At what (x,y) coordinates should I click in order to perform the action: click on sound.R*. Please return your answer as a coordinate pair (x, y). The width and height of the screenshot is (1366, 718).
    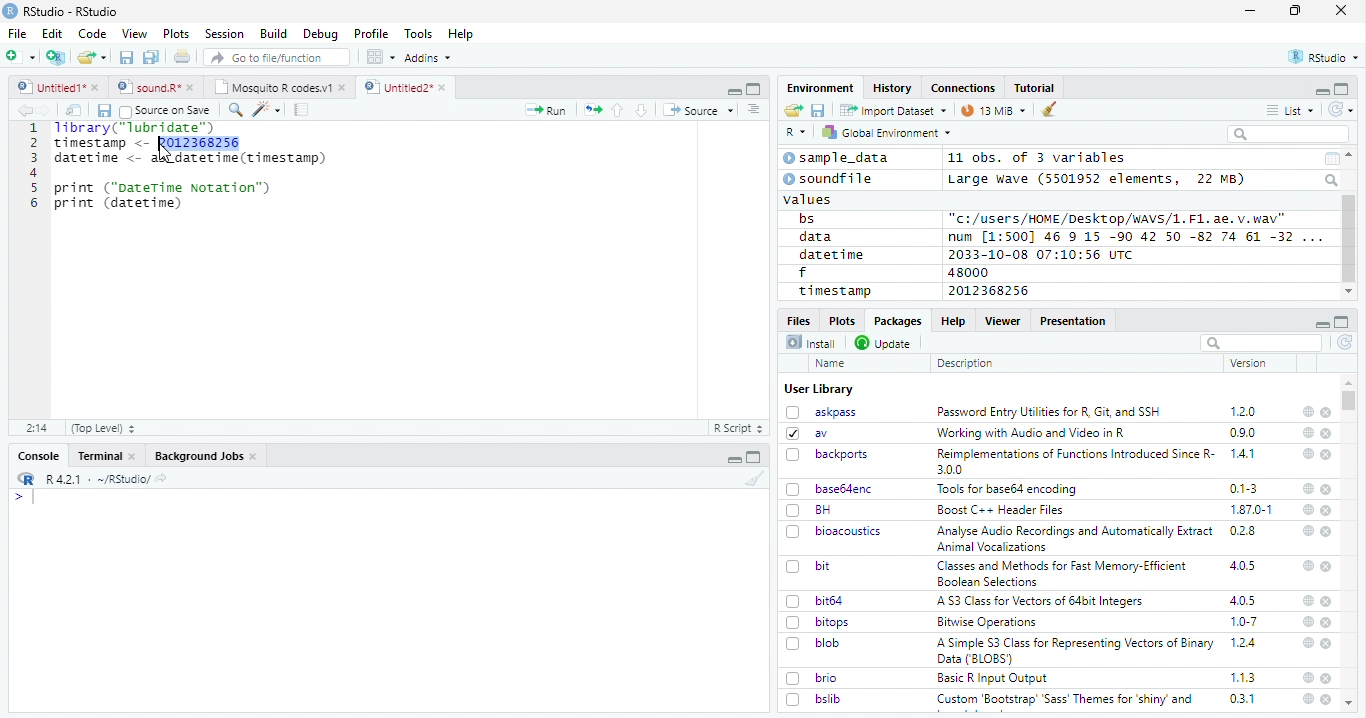
    Looking at the image, I should click on (156, 88).